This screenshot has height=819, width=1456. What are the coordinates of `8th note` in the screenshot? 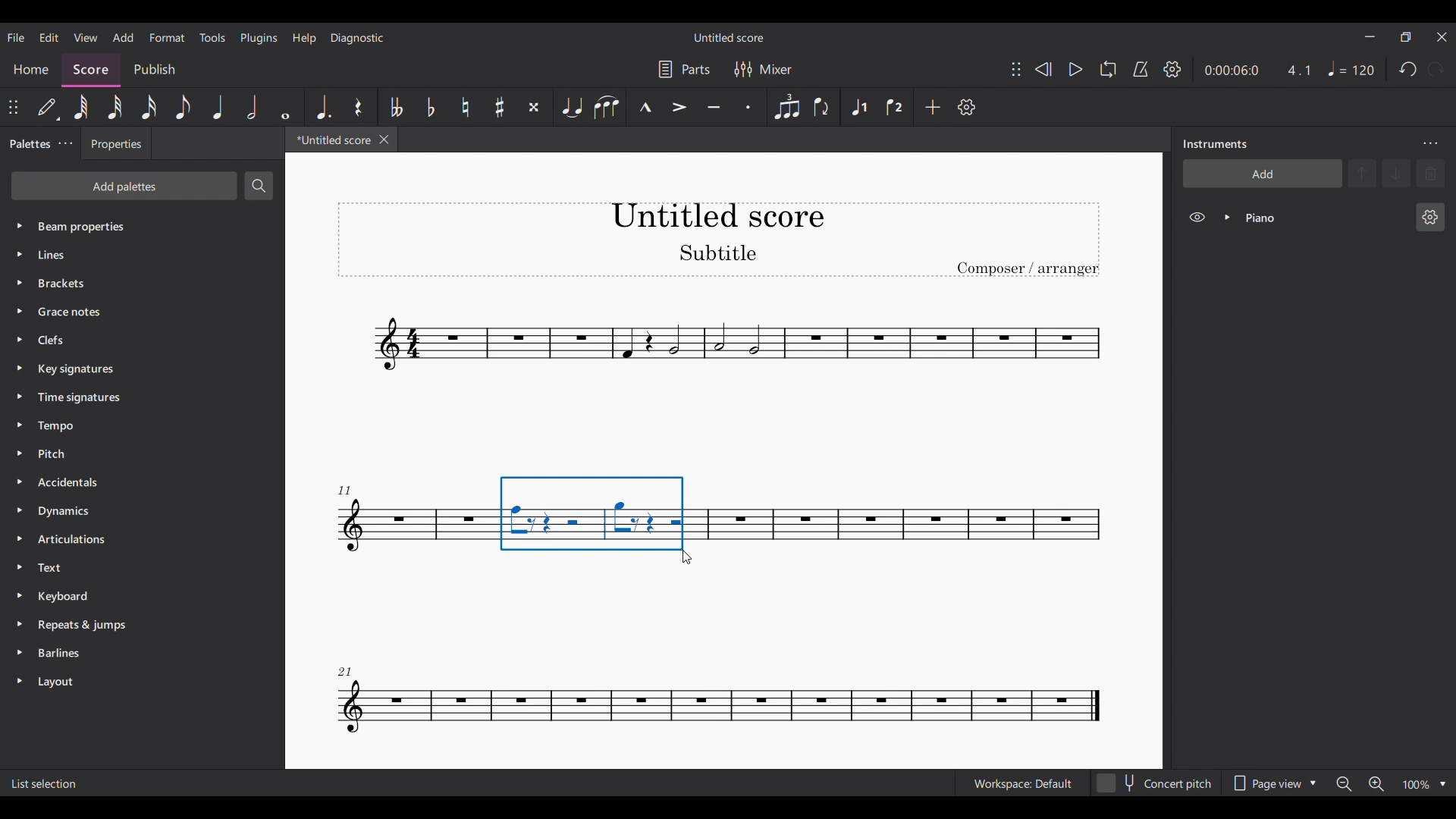 It's located at (183, 107).